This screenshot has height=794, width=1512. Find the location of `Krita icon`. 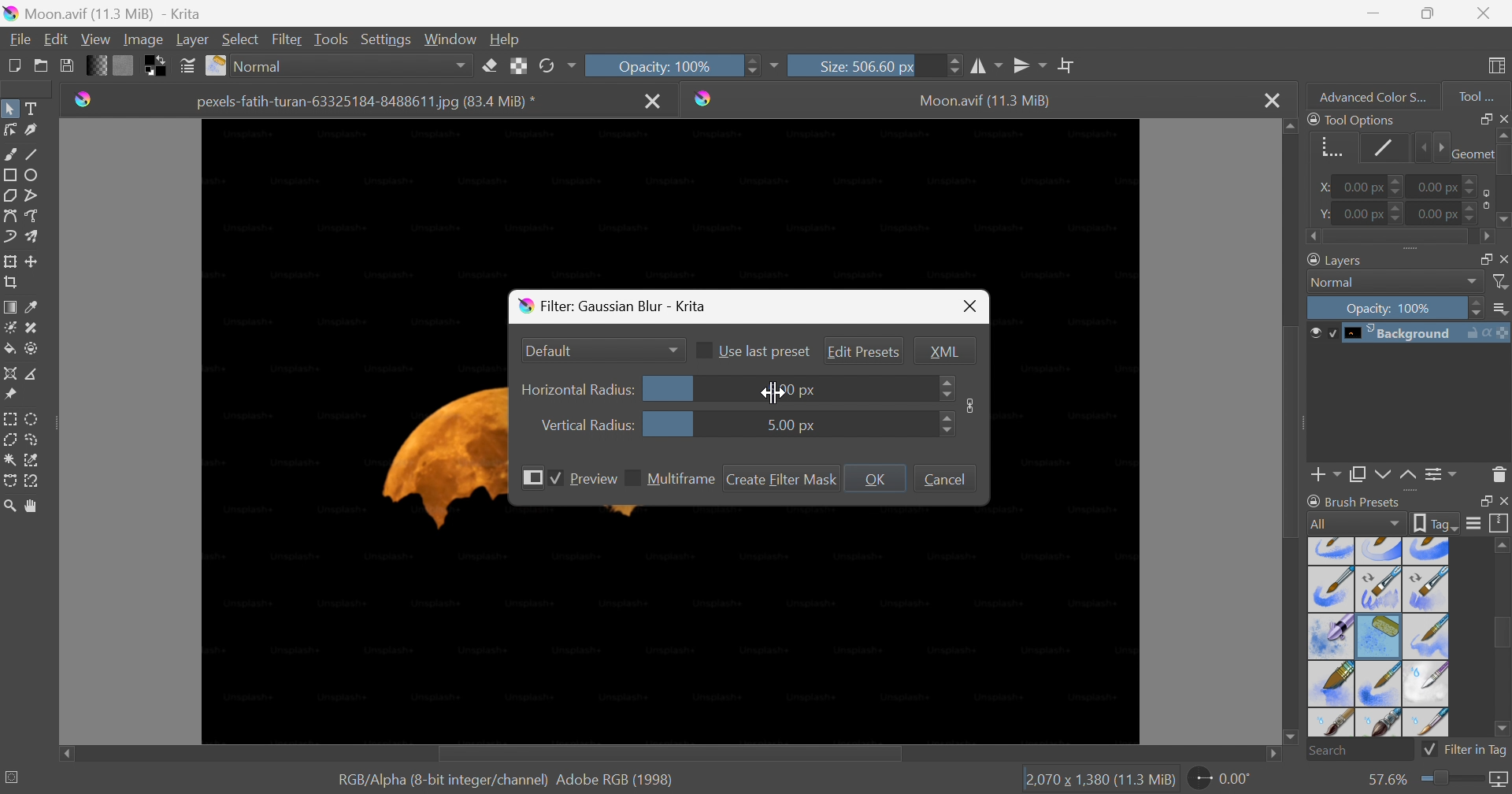

Krita icon is located at coordinates (80, 102).